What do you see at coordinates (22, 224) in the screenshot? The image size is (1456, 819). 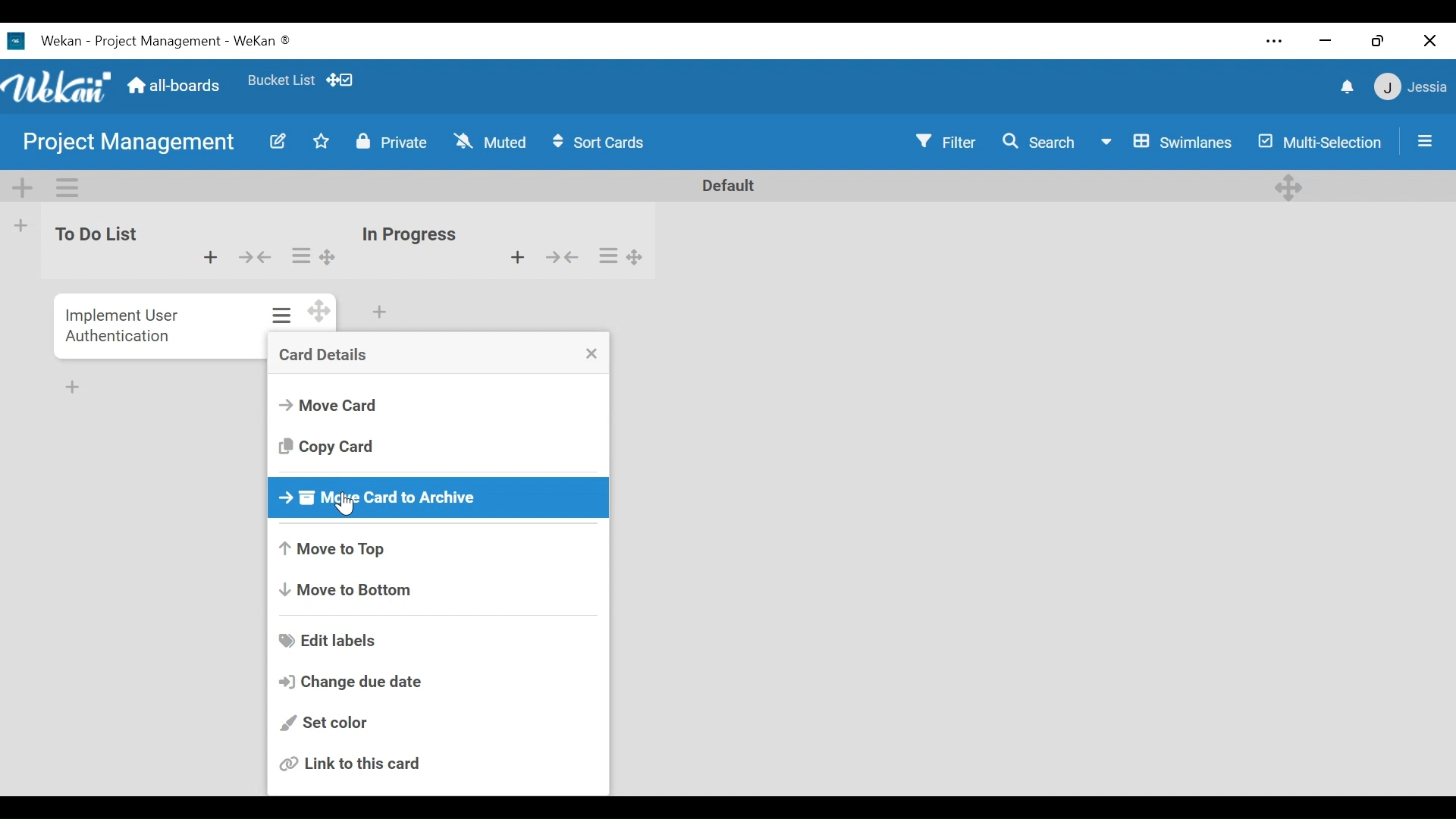 I see `Add list` at bounding box center [22, 224].